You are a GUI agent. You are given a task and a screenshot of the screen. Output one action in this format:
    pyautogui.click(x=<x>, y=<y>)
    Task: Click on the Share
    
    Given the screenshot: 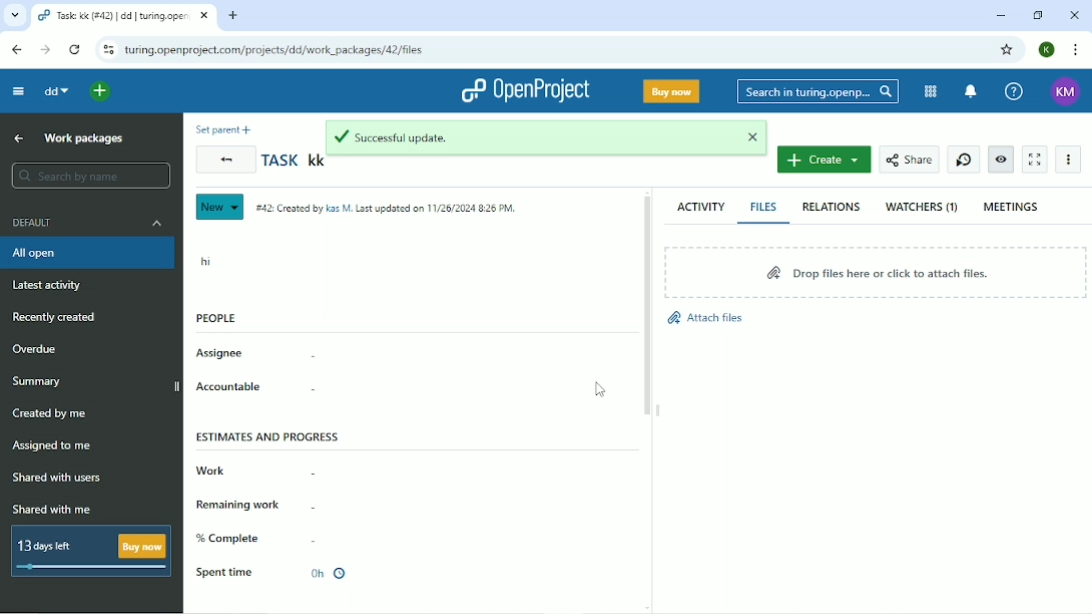 What is the action you would take?
    pyautogui.click(x=910, y=159)
    